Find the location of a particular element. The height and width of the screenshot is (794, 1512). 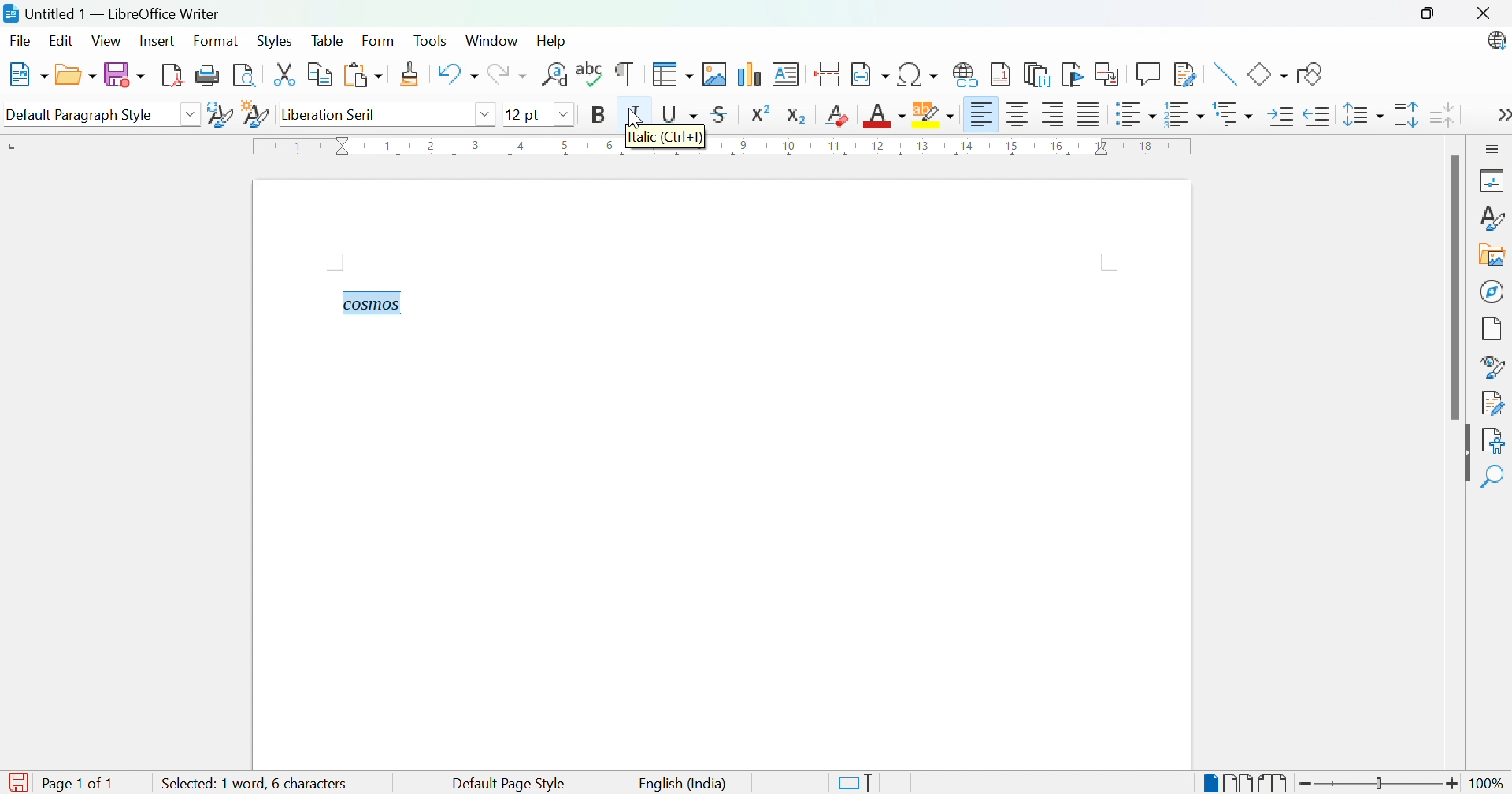

Insert endnote is located at coordinates (1038, 76).